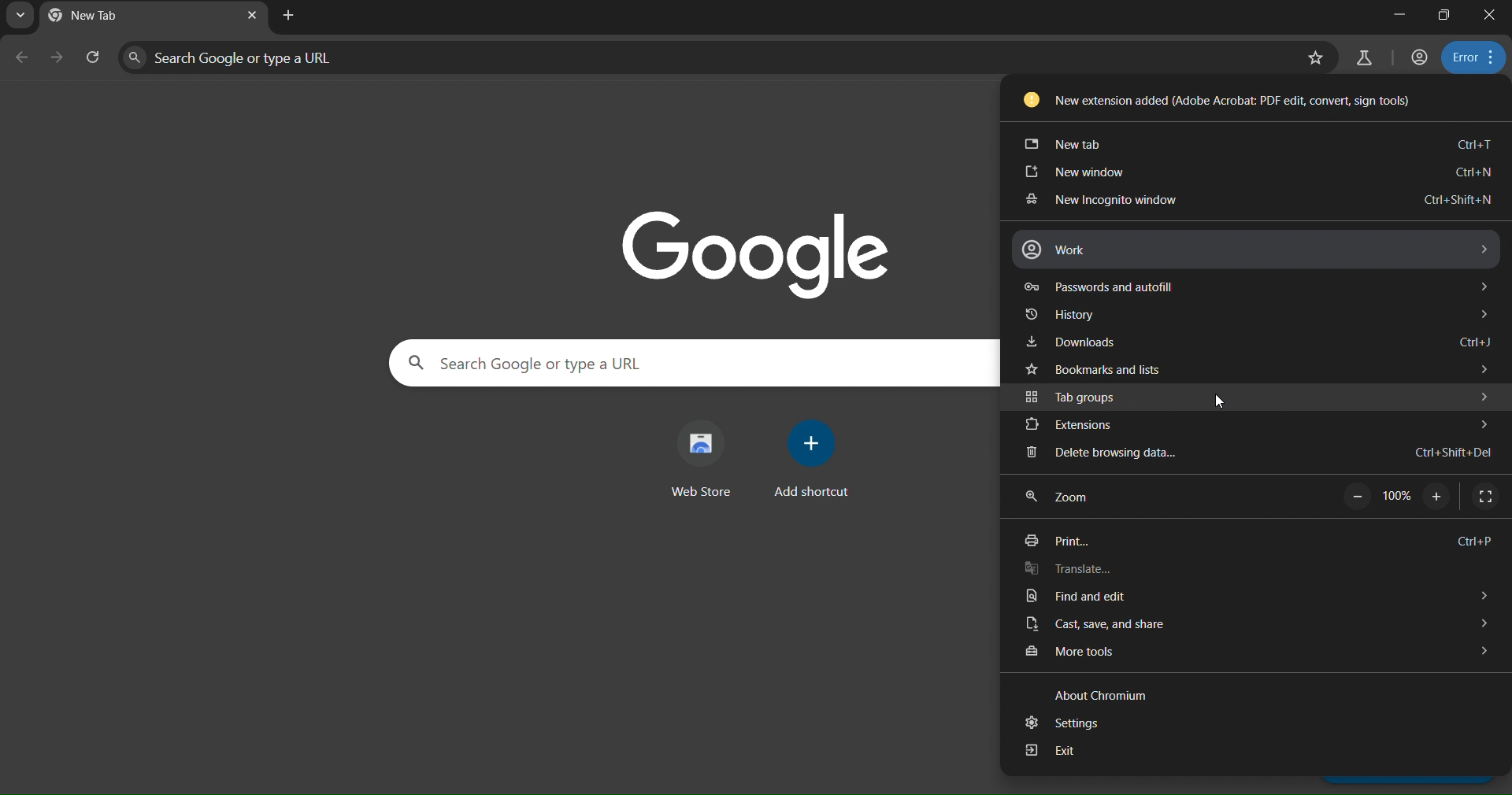  Describe the element at coordinates (1364, 59) in the screenshot. I see `search labs` at that location.